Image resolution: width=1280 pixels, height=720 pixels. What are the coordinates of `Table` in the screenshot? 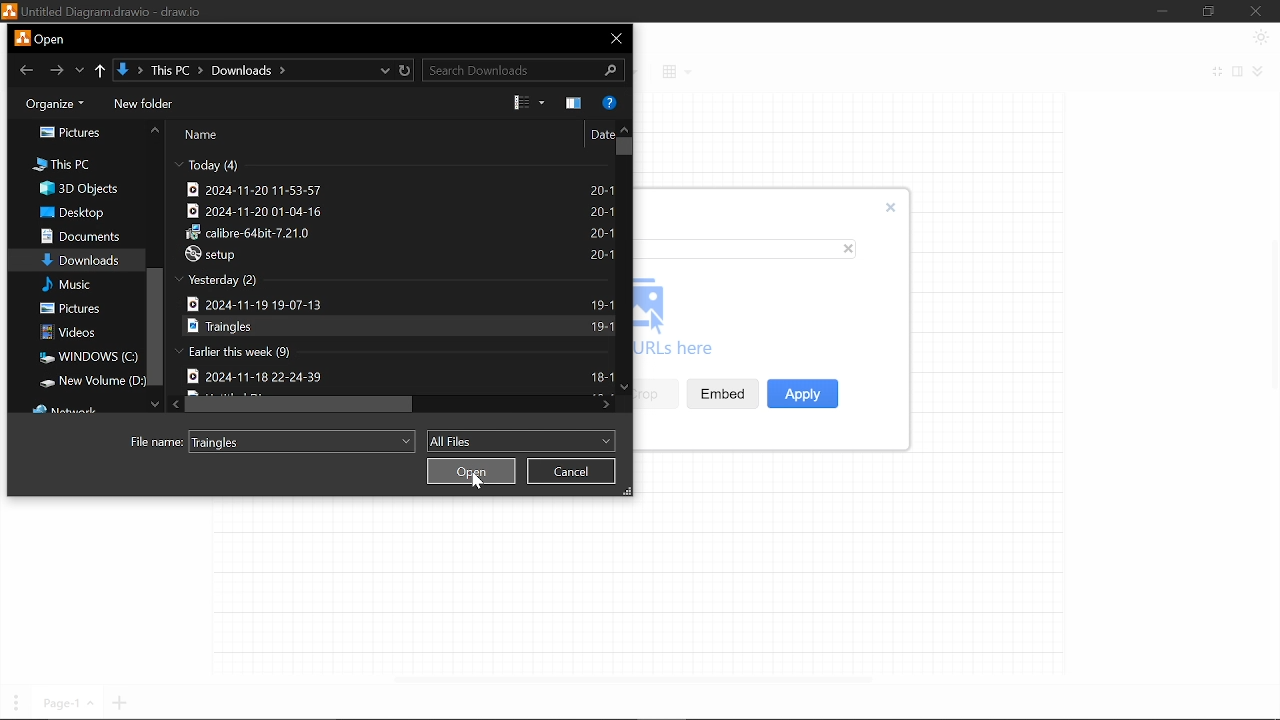 It's located at (674, 71).